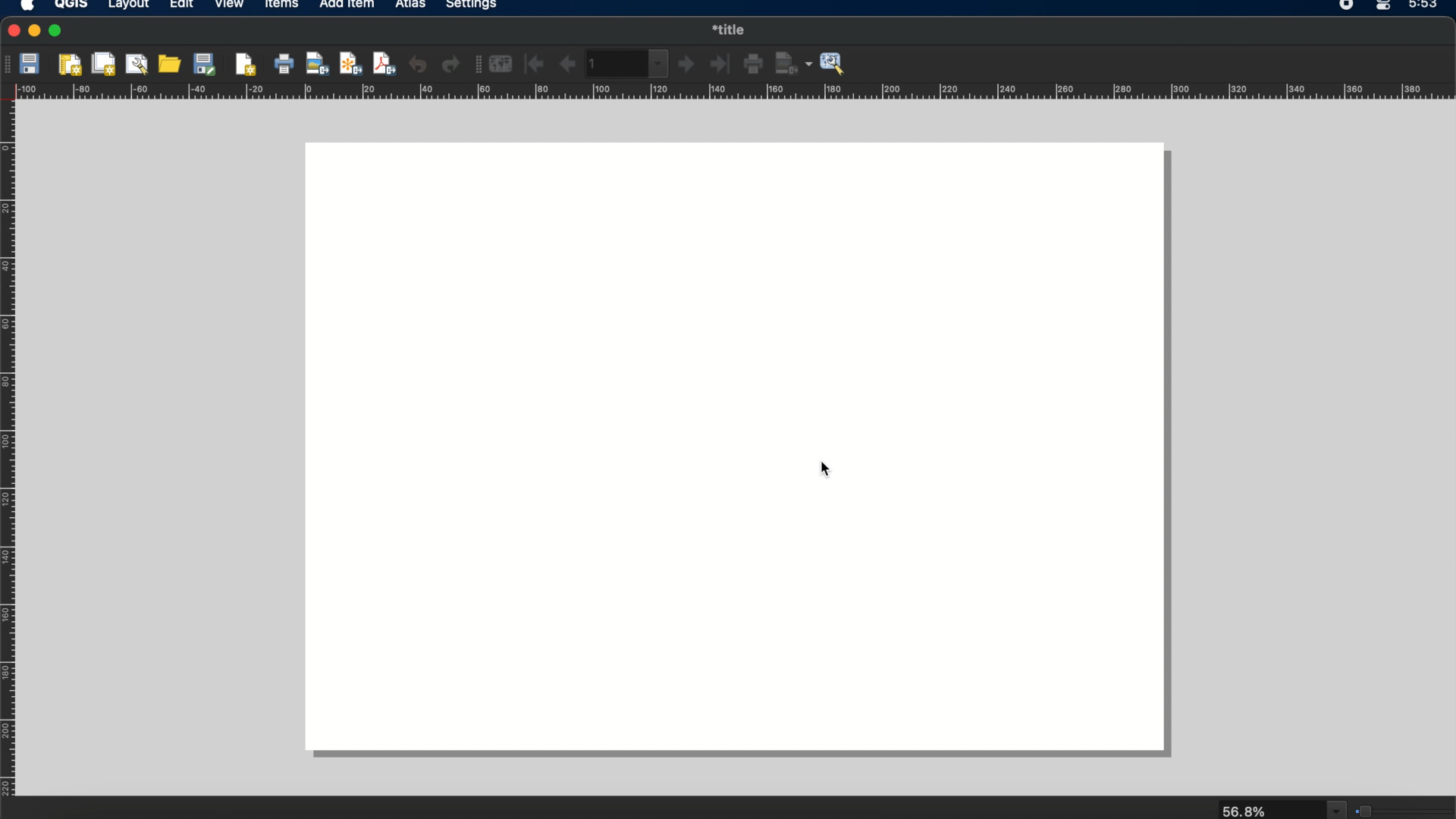 This screenshot has width=1456, height=819. I want to click on minimize, so click(34, 30).